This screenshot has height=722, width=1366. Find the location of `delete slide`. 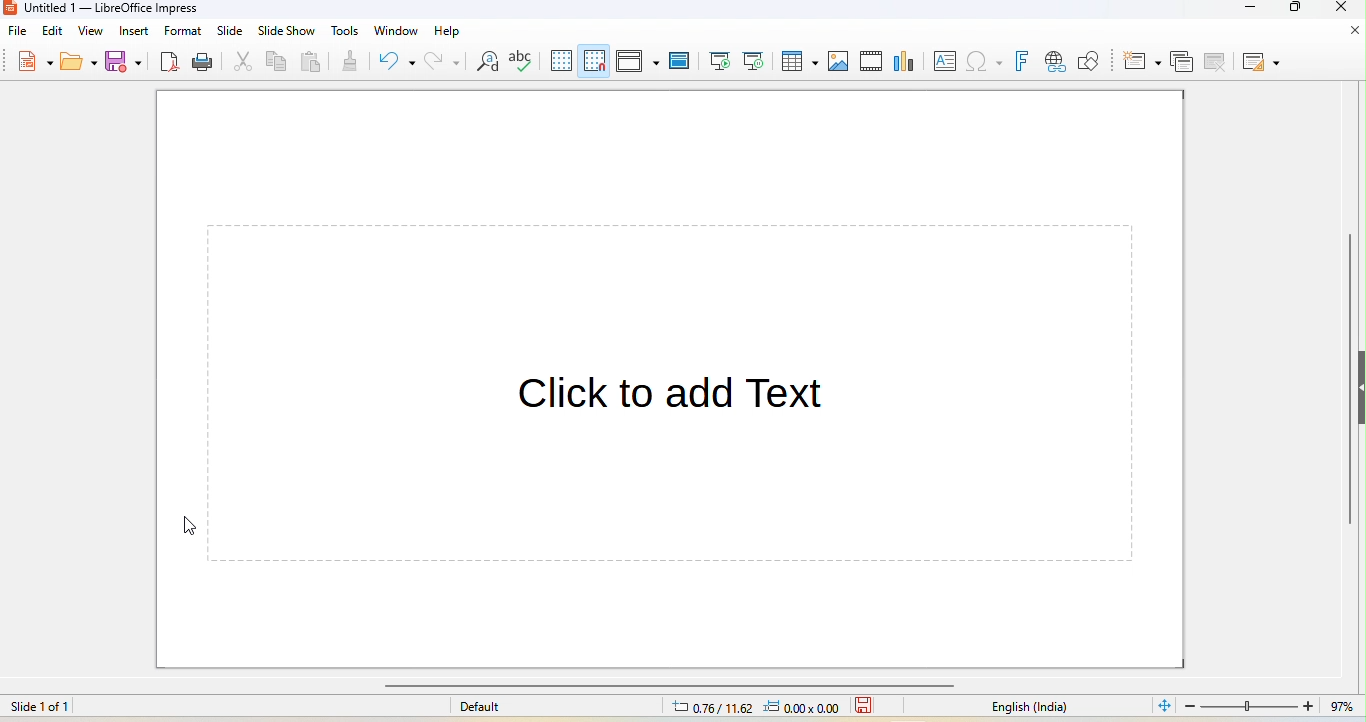

delete slide is located at coordinates (1215, 61).